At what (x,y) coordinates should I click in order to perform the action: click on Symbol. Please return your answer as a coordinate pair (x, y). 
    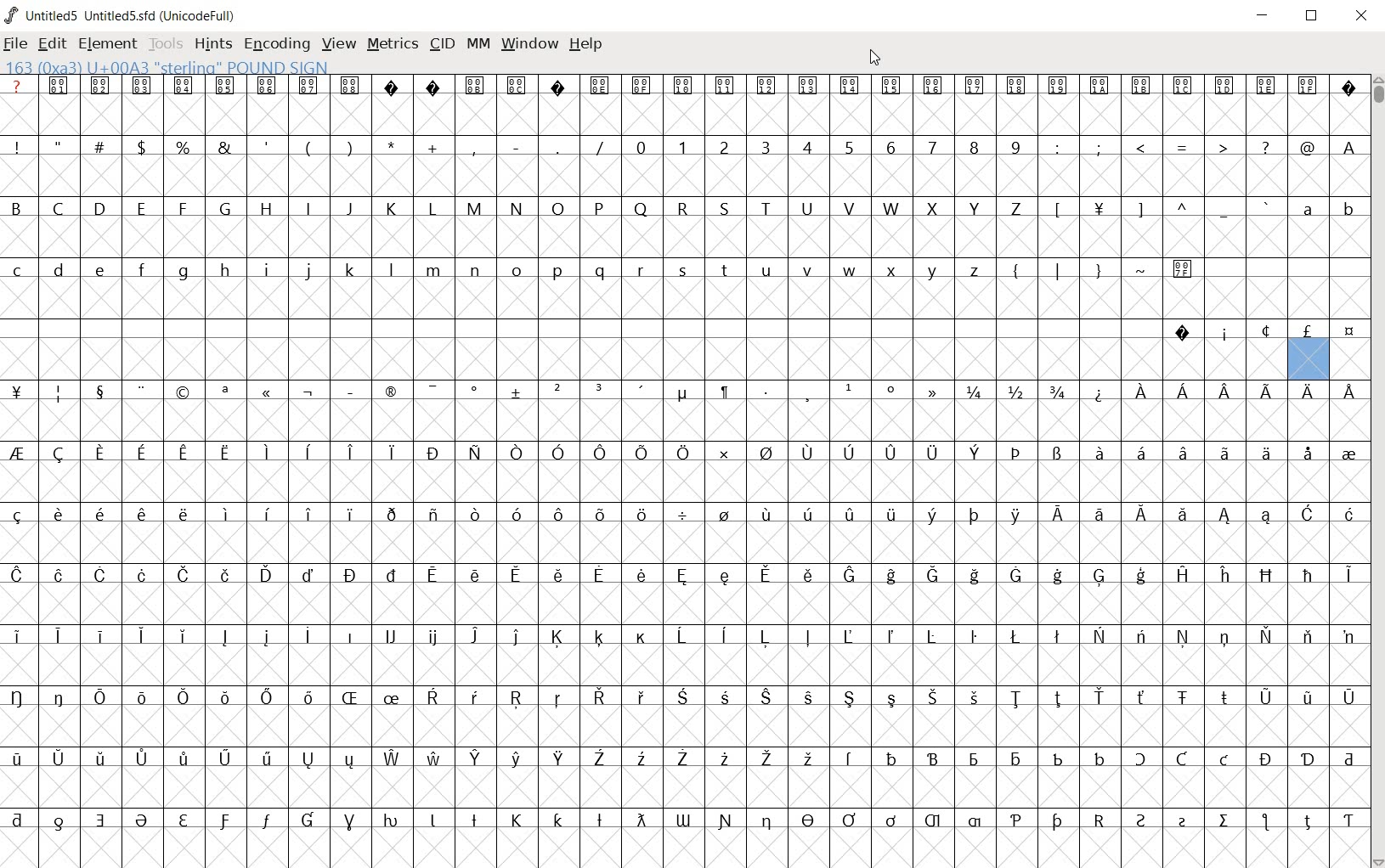
    Looking at the image, I should click on (21, 697).